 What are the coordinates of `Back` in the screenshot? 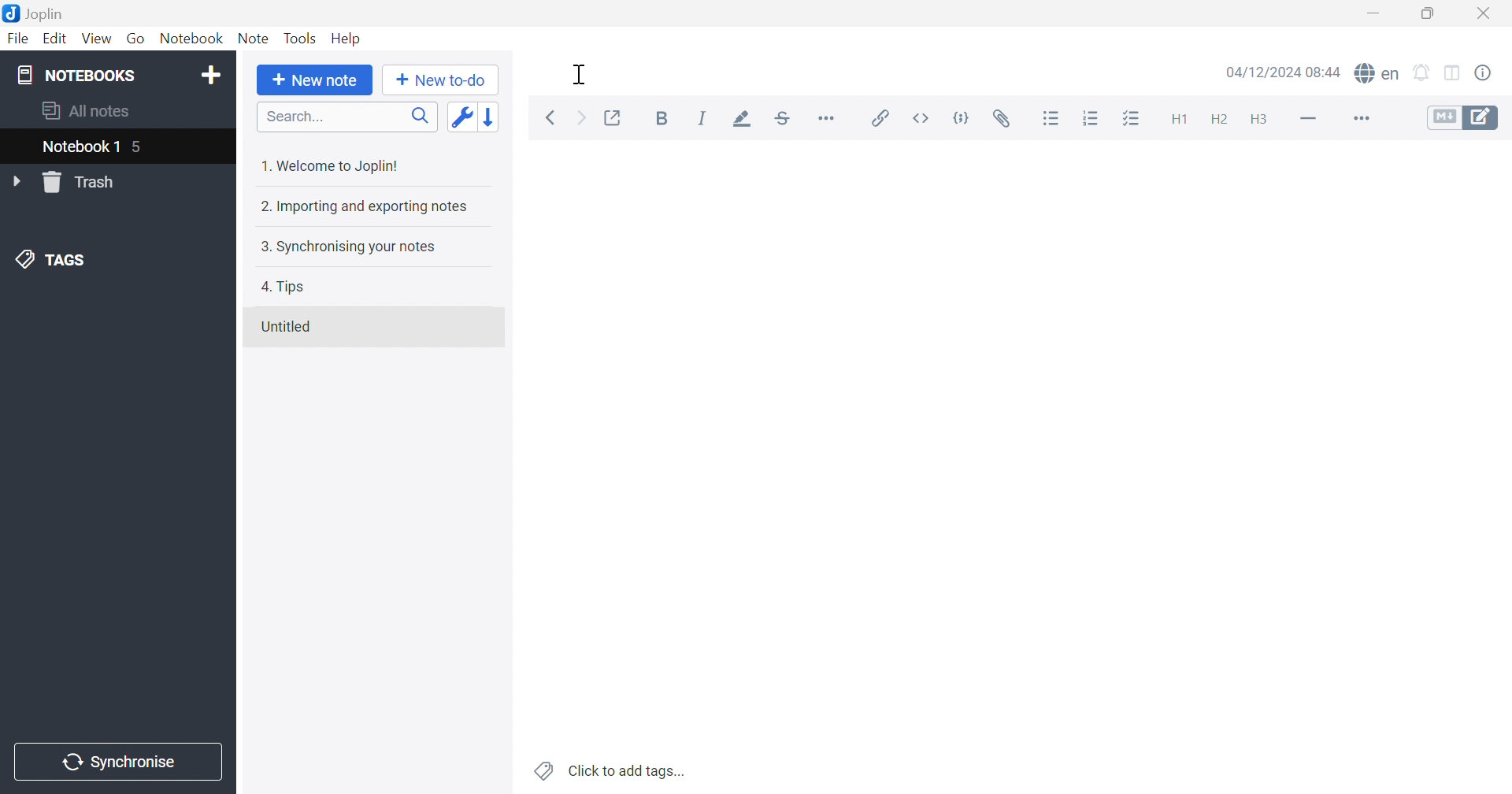 It's located at (550, 118).